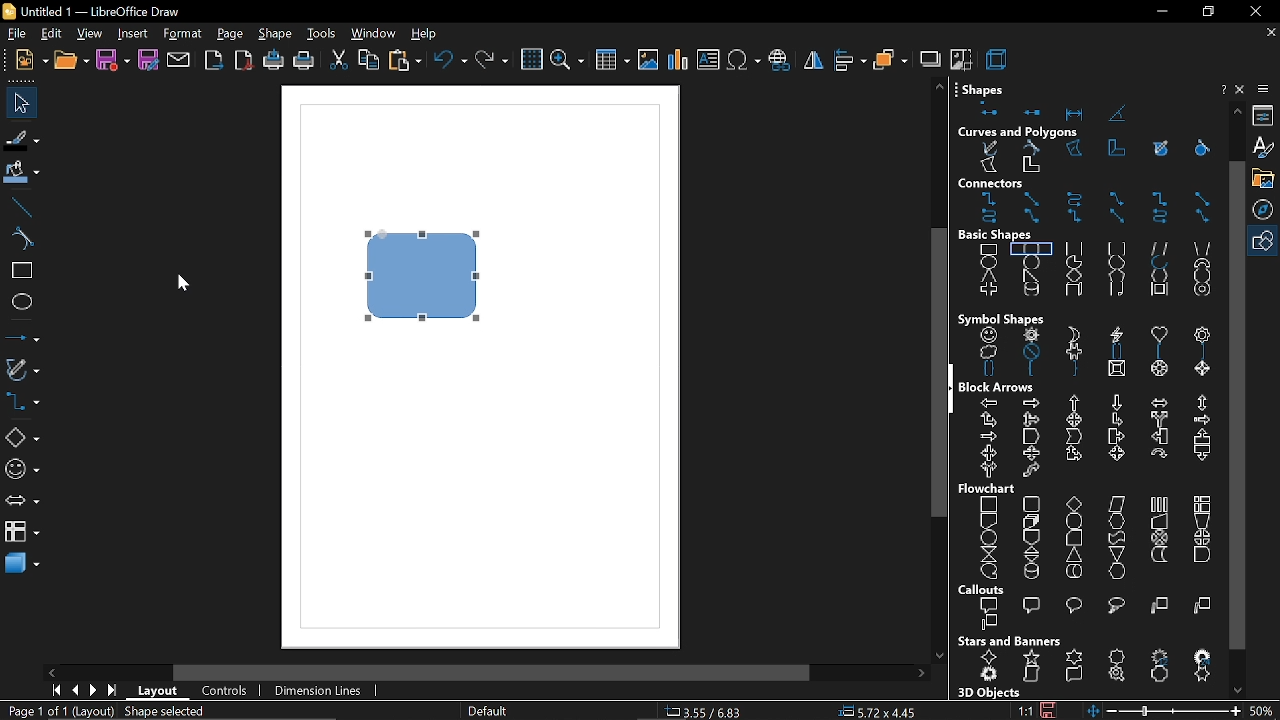 Image resolution: width=1280 pixels, height=720 pixels. I want to click on flip, so click(814, 60).